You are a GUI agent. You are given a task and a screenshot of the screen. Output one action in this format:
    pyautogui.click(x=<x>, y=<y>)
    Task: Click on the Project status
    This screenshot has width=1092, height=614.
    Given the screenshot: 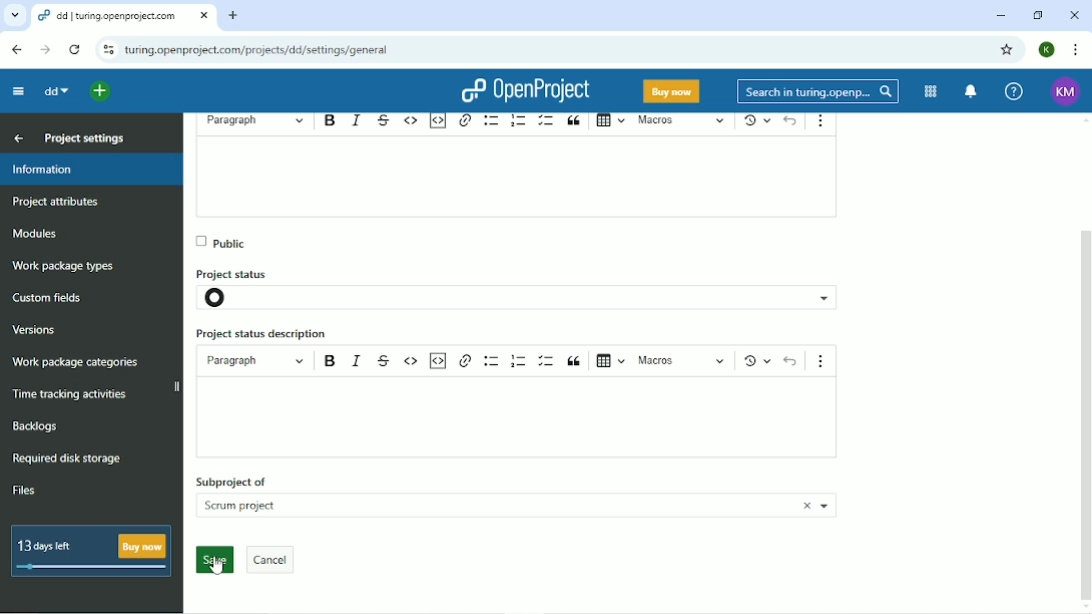 What is the action you would take?
    pyautogui.click(x=243, y=271)
    